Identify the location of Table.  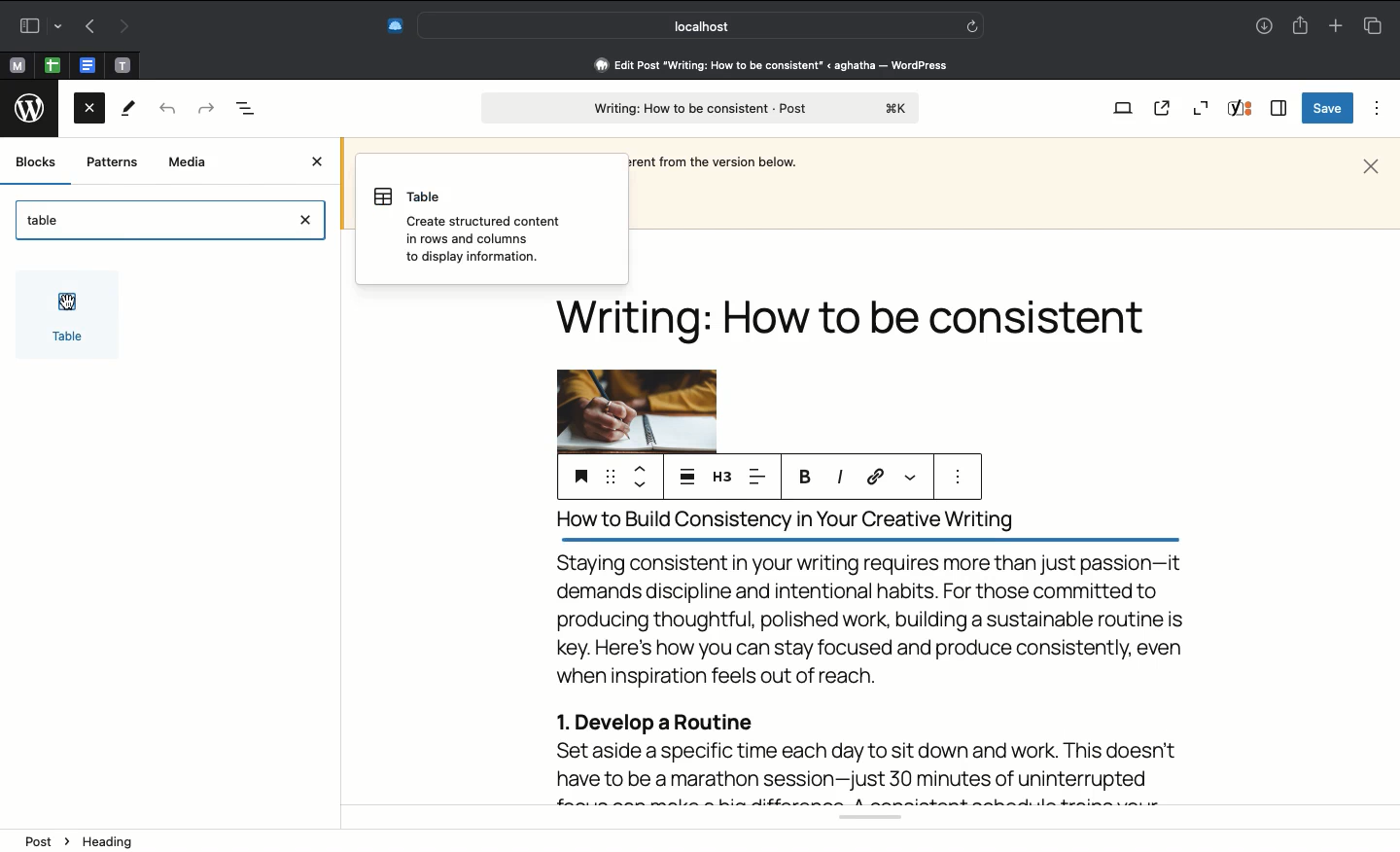
(65, 316).